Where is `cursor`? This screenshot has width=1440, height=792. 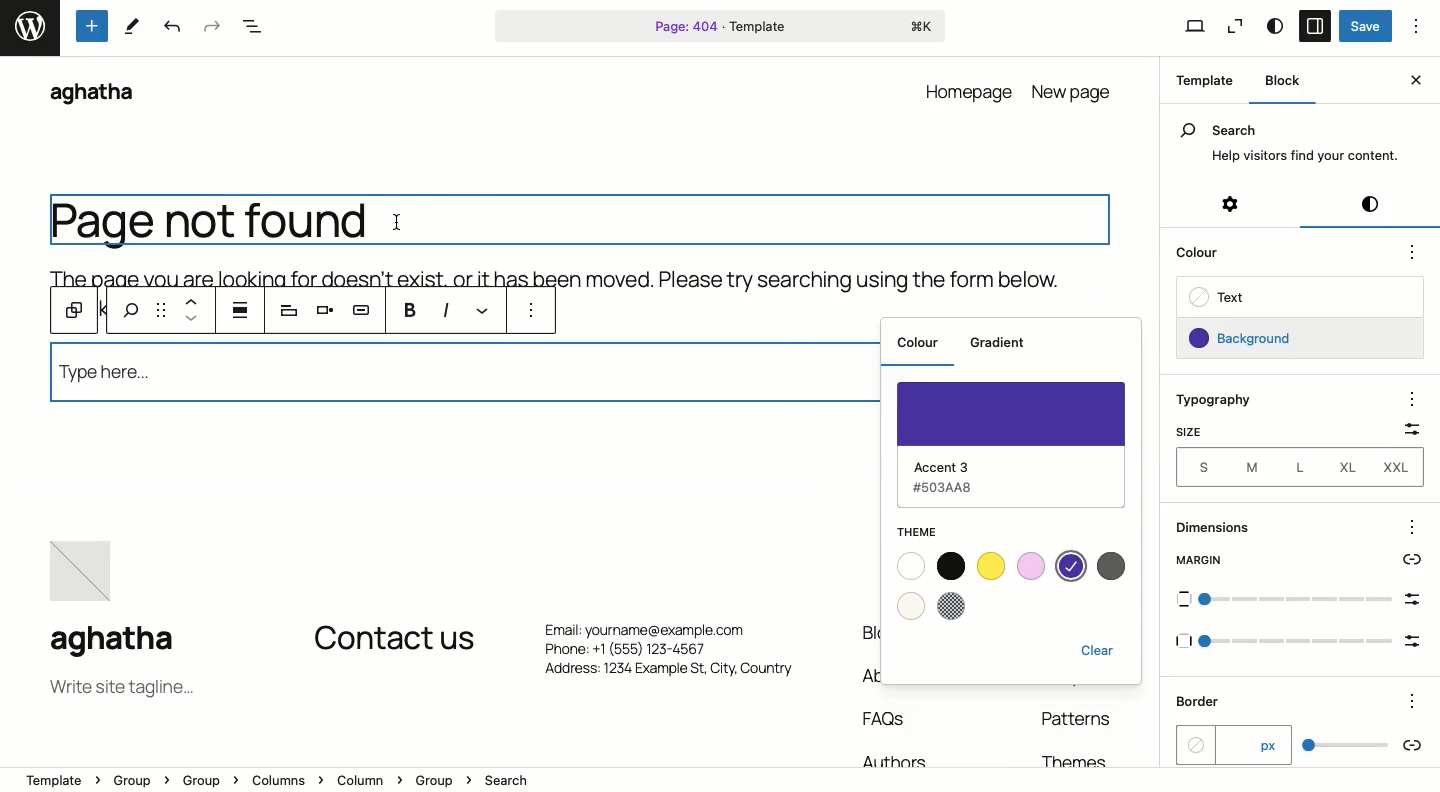
cursor is located at coordinates (396, 225).